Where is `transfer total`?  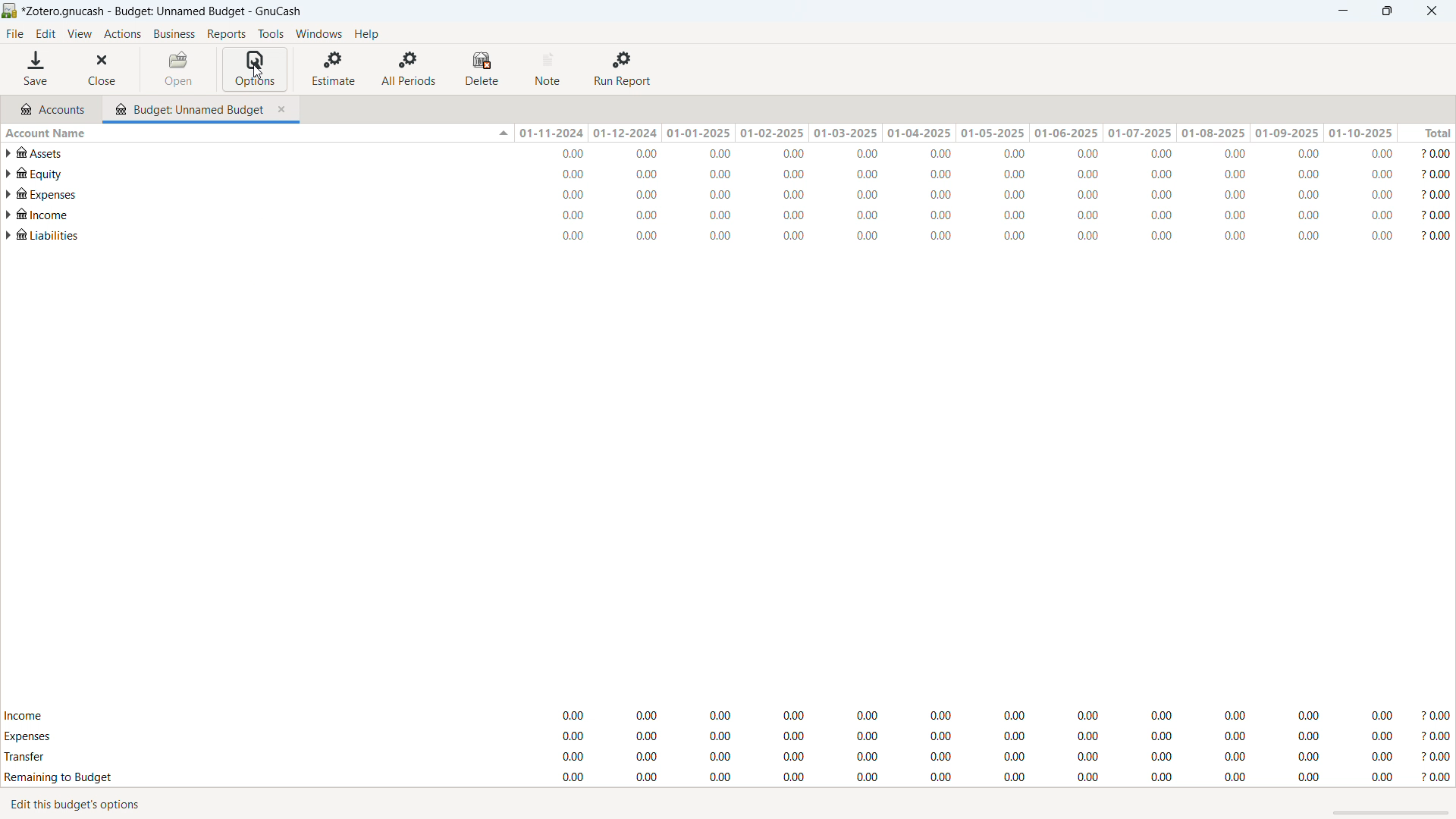 transfer total is located at coordinates (728, 756).